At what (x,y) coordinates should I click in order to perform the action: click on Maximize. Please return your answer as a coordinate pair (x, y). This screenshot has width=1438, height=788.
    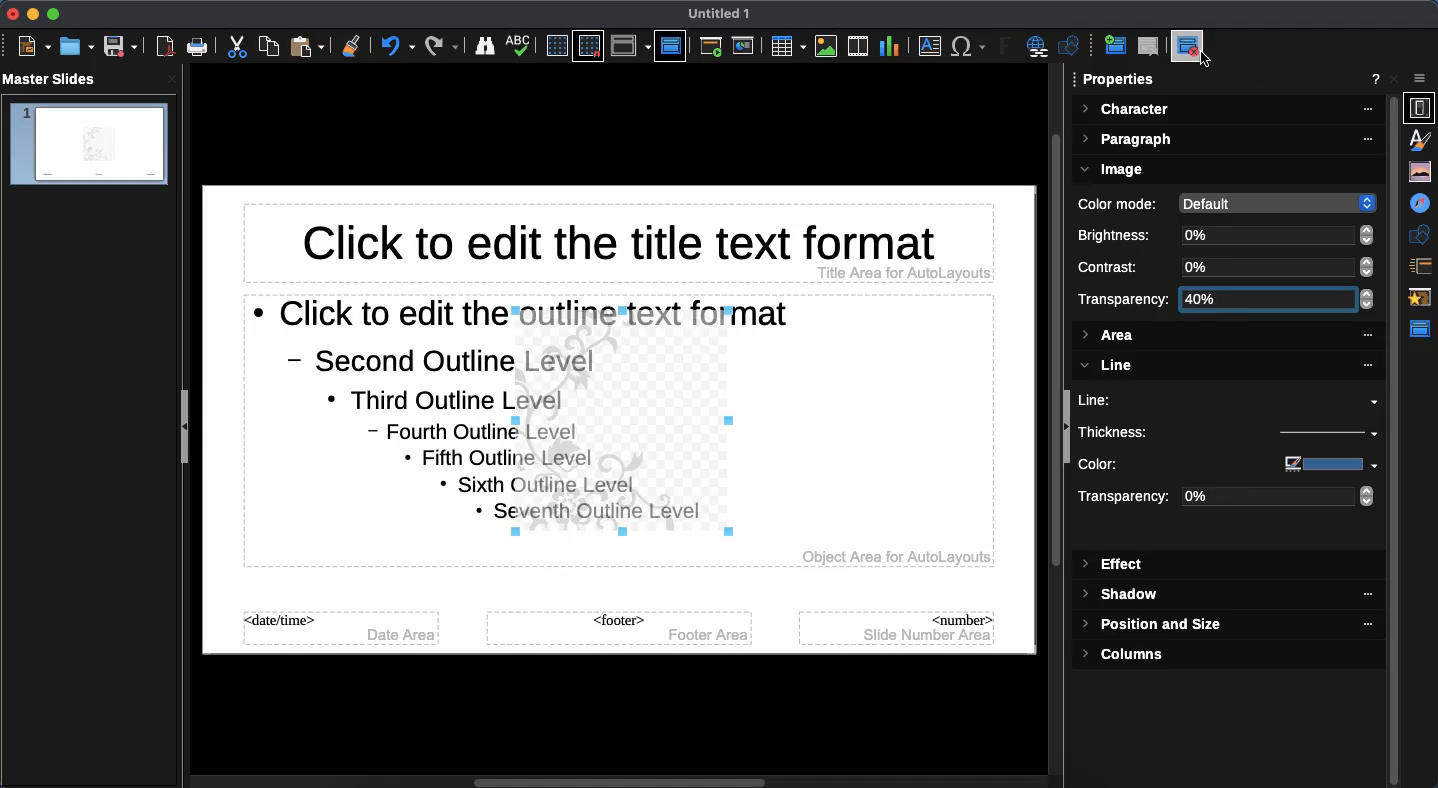
    Looking at the image, I should click on (52, 14).